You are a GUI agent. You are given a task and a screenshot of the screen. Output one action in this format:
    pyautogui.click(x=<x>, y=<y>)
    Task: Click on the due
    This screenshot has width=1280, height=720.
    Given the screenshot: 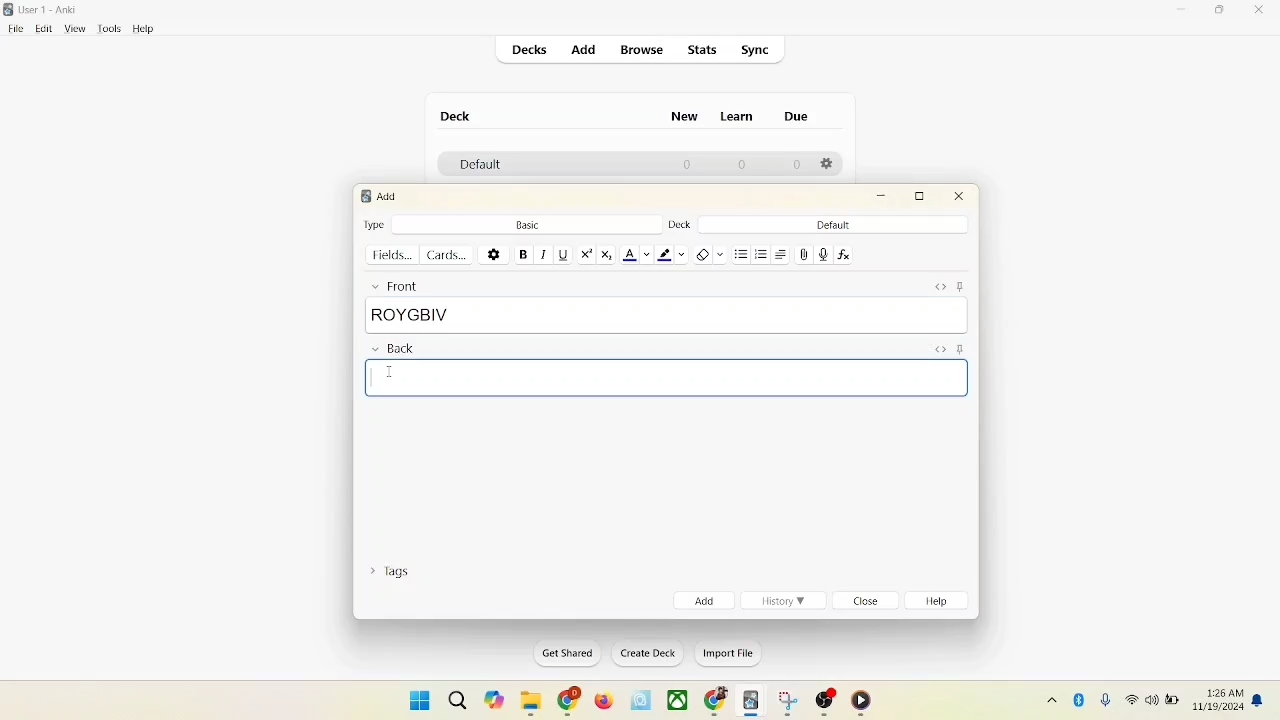 What is the action you would take?
    pyautogui.click(x=796, y=116)
    